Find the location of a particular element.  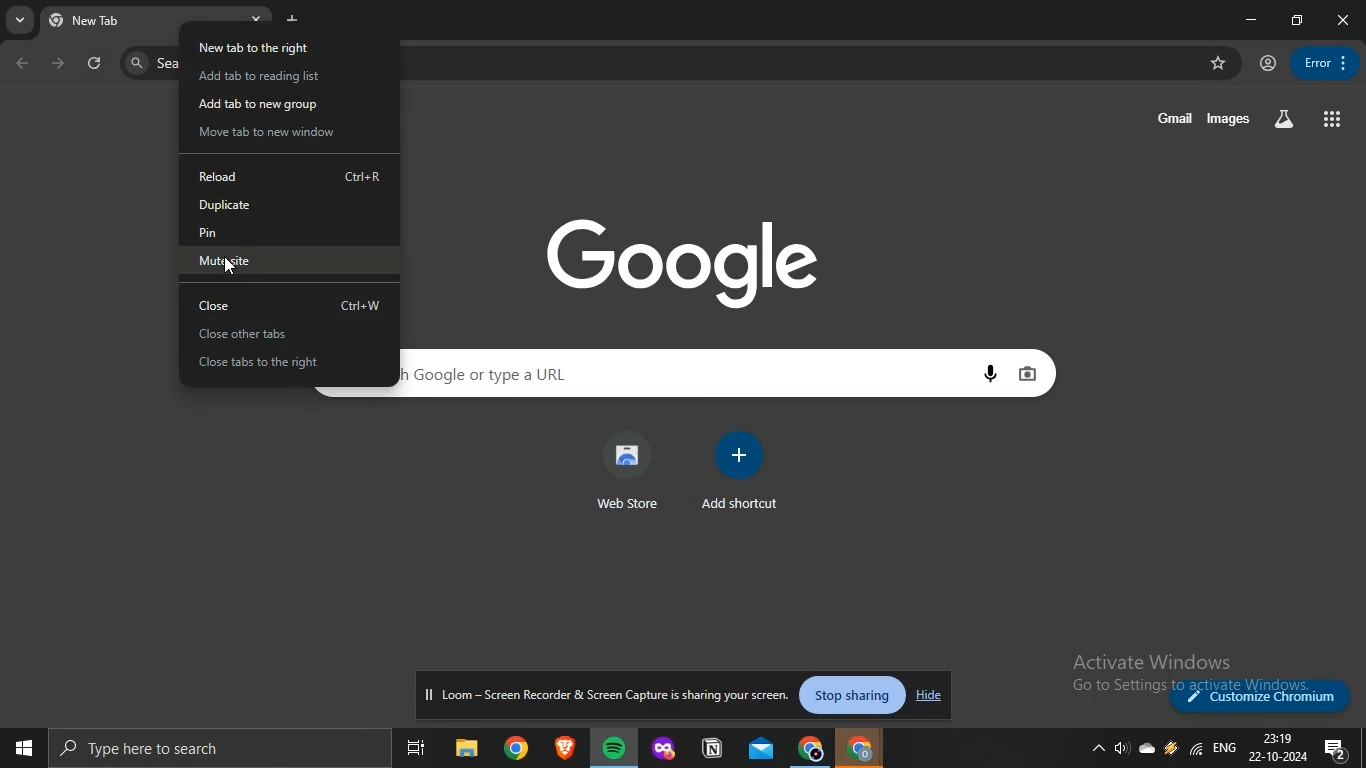

add shortcut is located at coordinates (739, 473).